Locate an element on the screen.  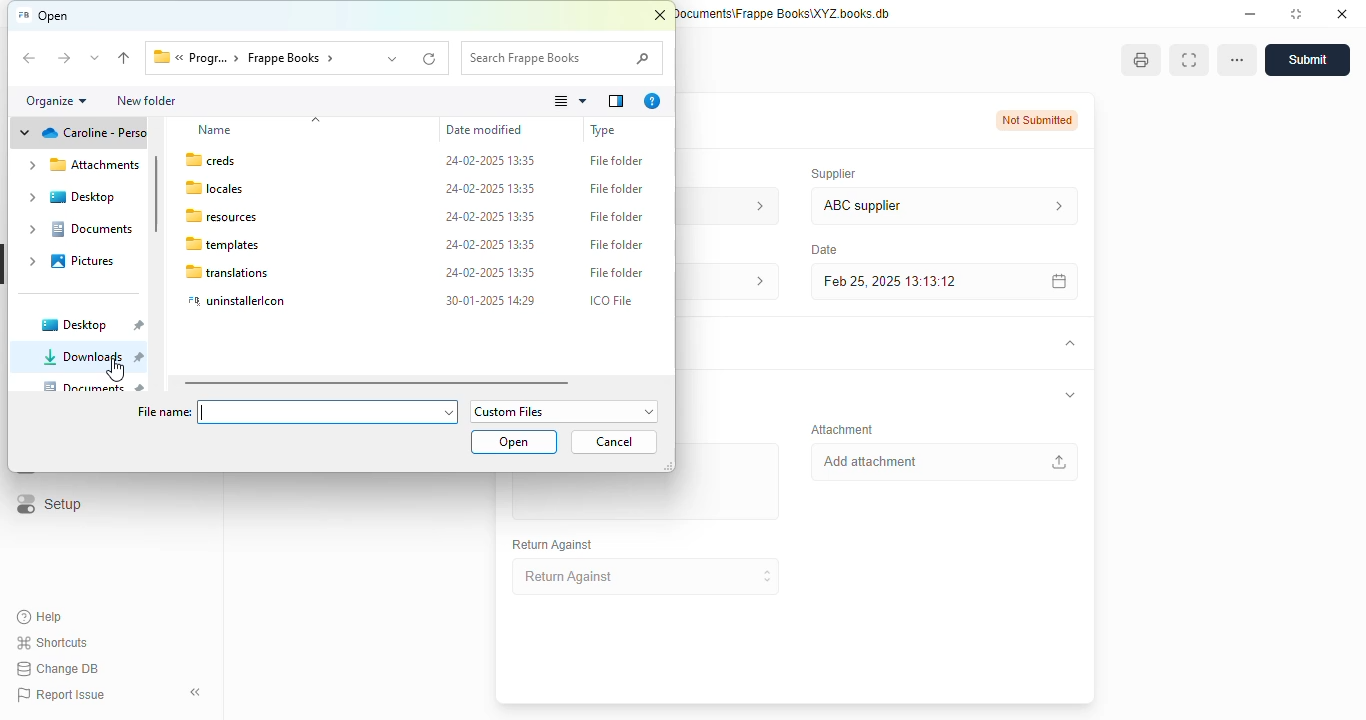
setup is located at coordinates (47, 505).